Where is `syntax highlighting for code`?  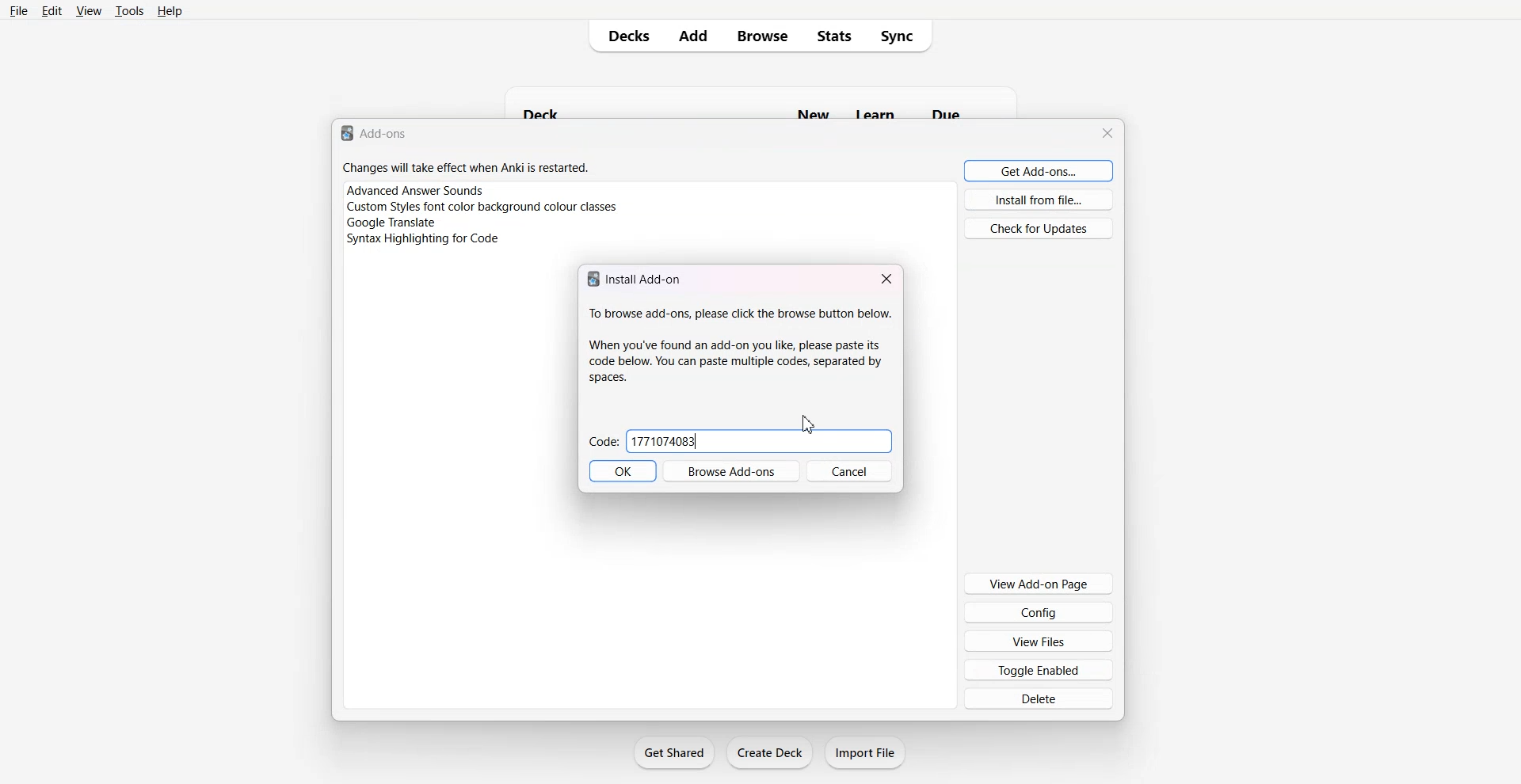 syntax highlighting for code is located at coordinates (423, 239).